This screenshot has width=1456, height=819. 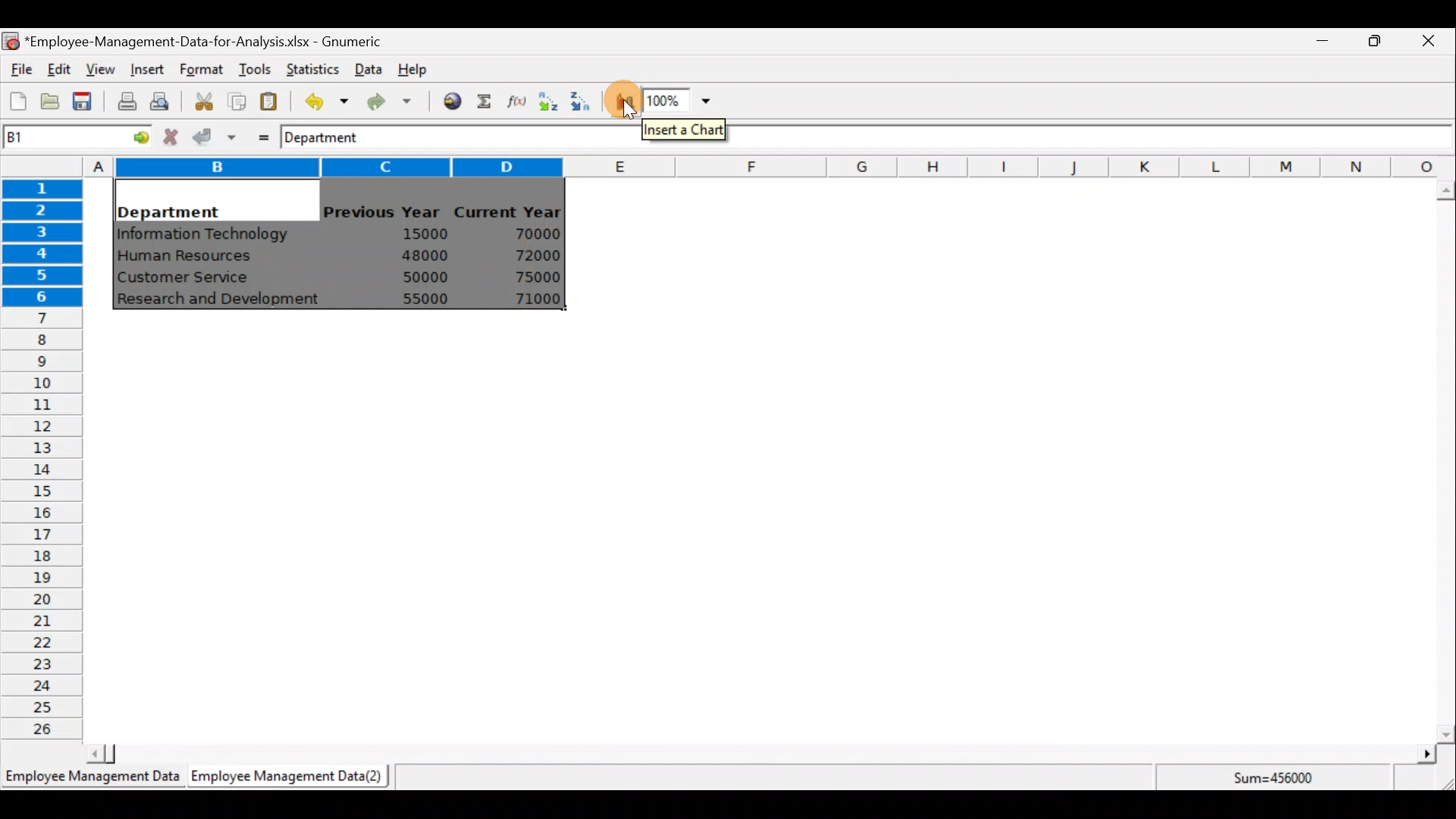 I want to click on Formula bar, so click(x=1101, y=137).